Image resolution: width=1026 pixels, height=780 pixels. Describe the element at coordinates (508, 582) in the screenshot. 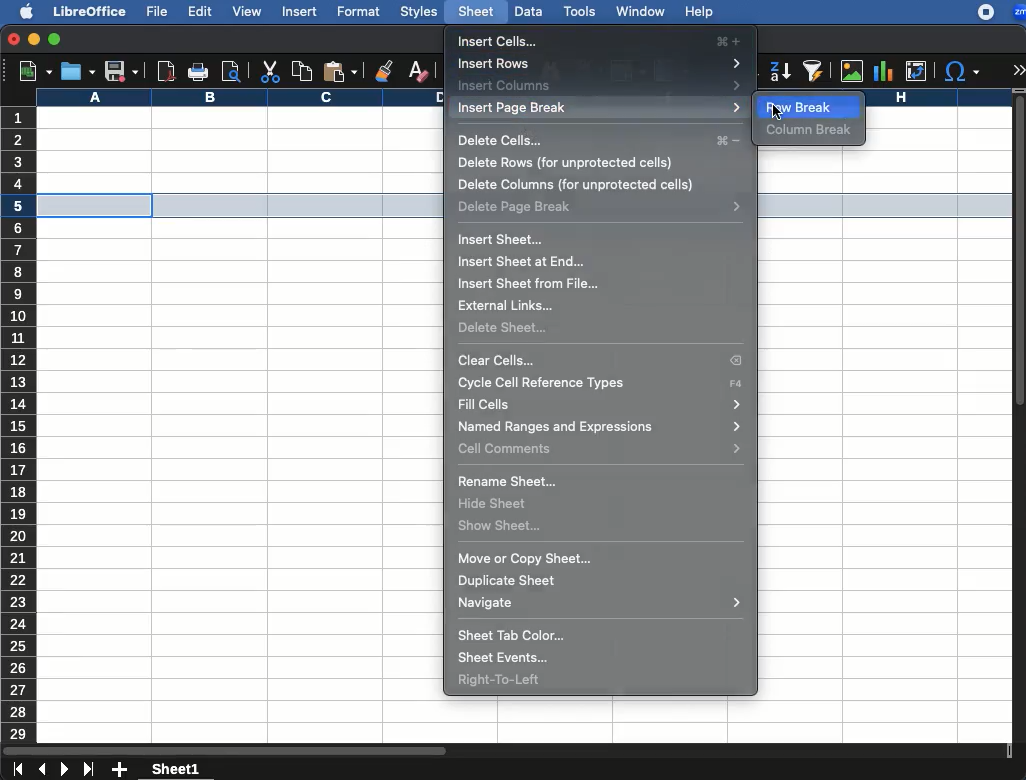

I see `duplicate sheet` at that location.